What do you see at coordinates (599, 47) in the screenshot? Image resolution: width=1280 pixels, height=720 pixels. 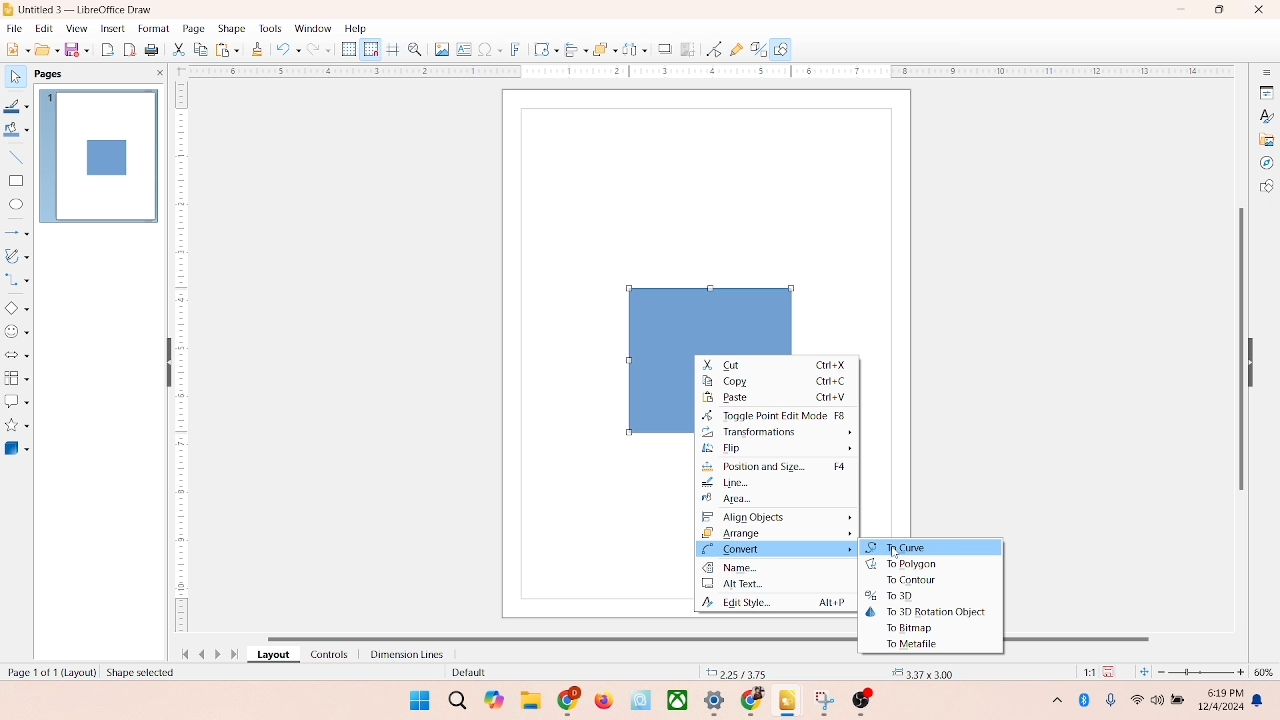 I see `arrange` at bounding box center [599, 47].